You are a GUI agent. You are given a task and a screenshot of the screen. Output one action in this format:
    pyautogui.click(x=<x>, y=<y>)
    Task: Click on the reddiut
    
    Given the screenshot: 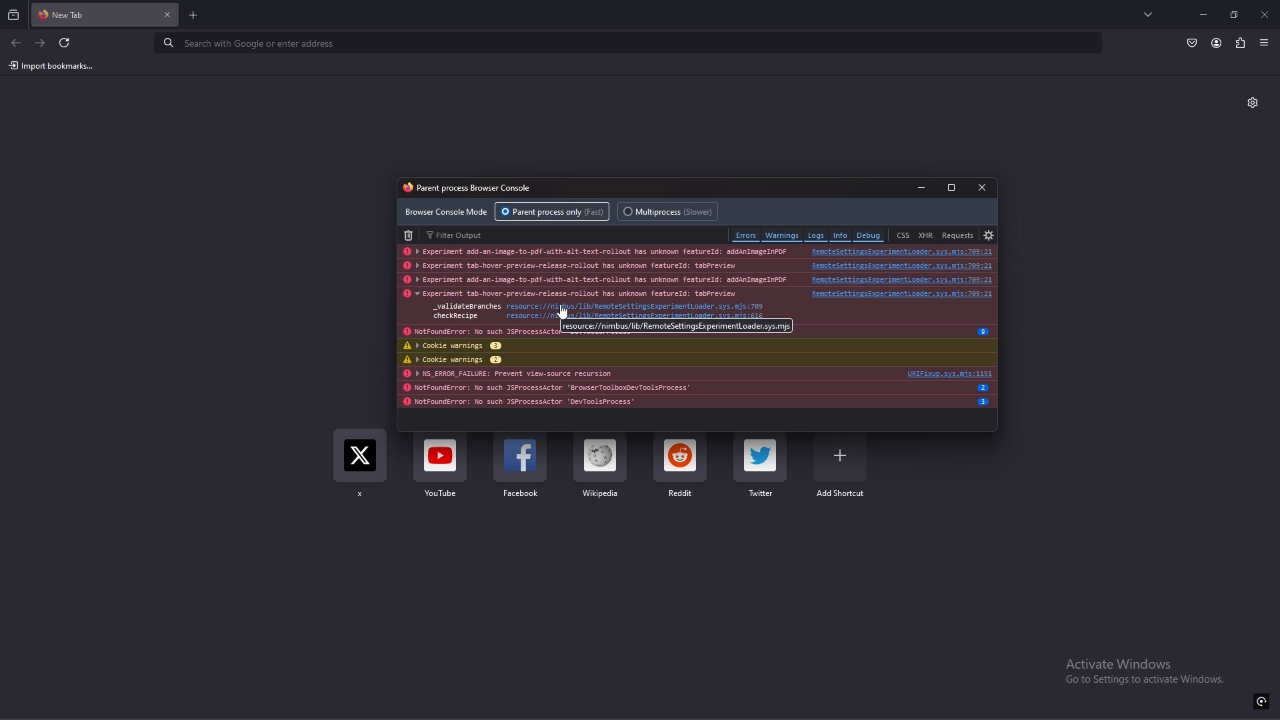 What is the action you would take?
    pyautogui.click(x=681, y=470)
    